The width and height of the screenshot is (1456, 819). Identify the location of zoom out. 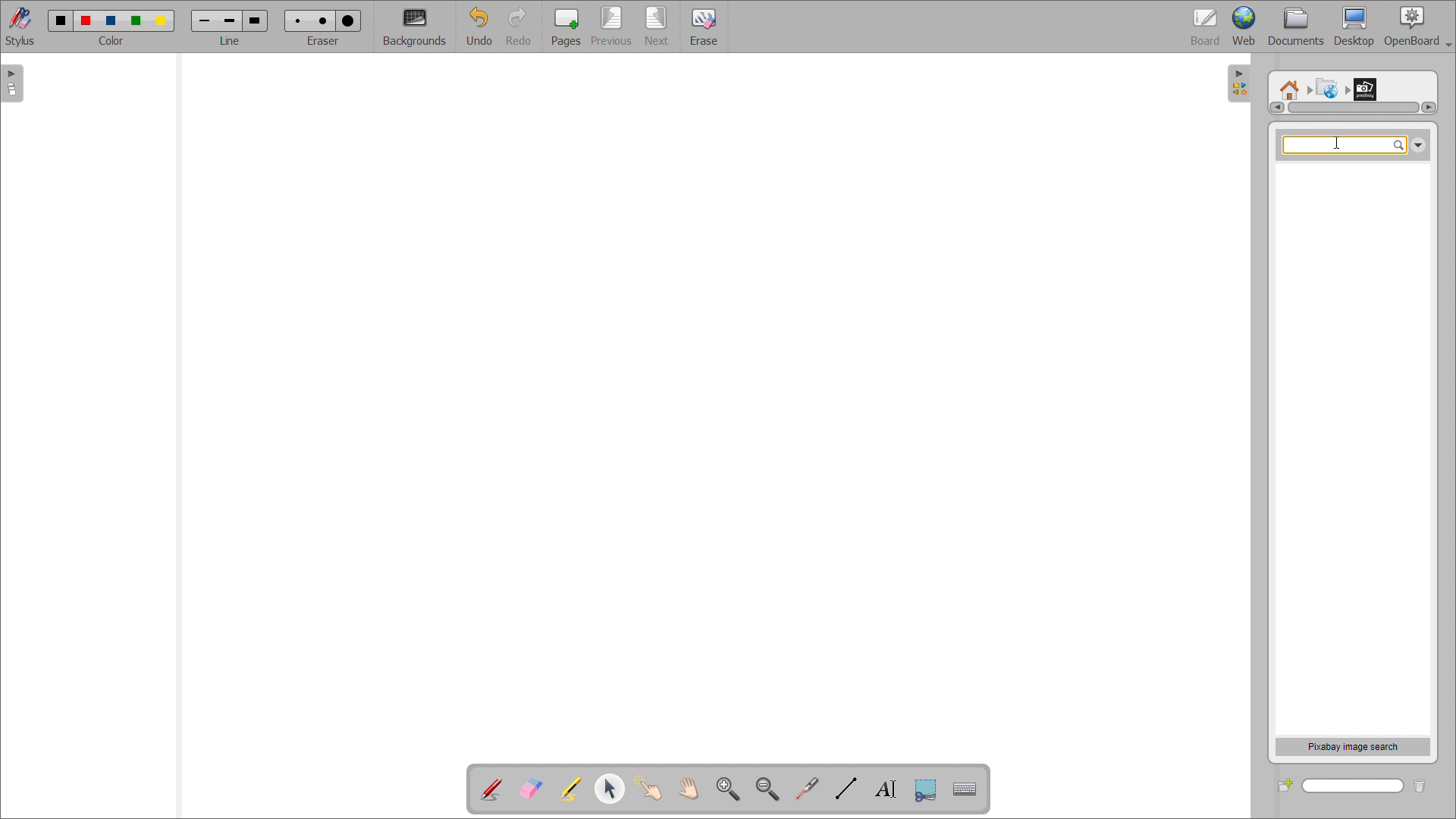
(768, 789).